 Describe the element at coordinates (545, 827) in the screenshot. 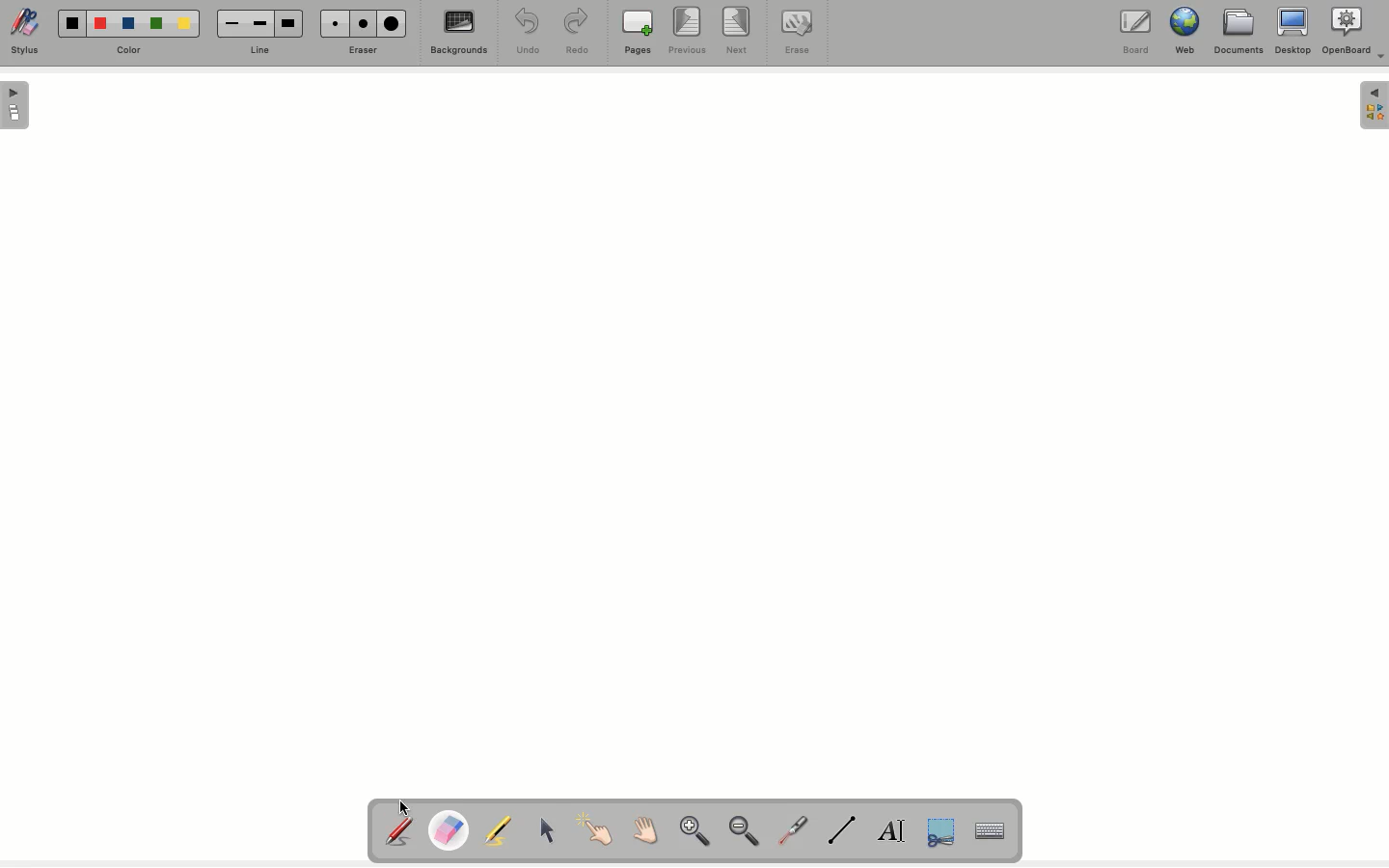

I see `Cursor` at that location.